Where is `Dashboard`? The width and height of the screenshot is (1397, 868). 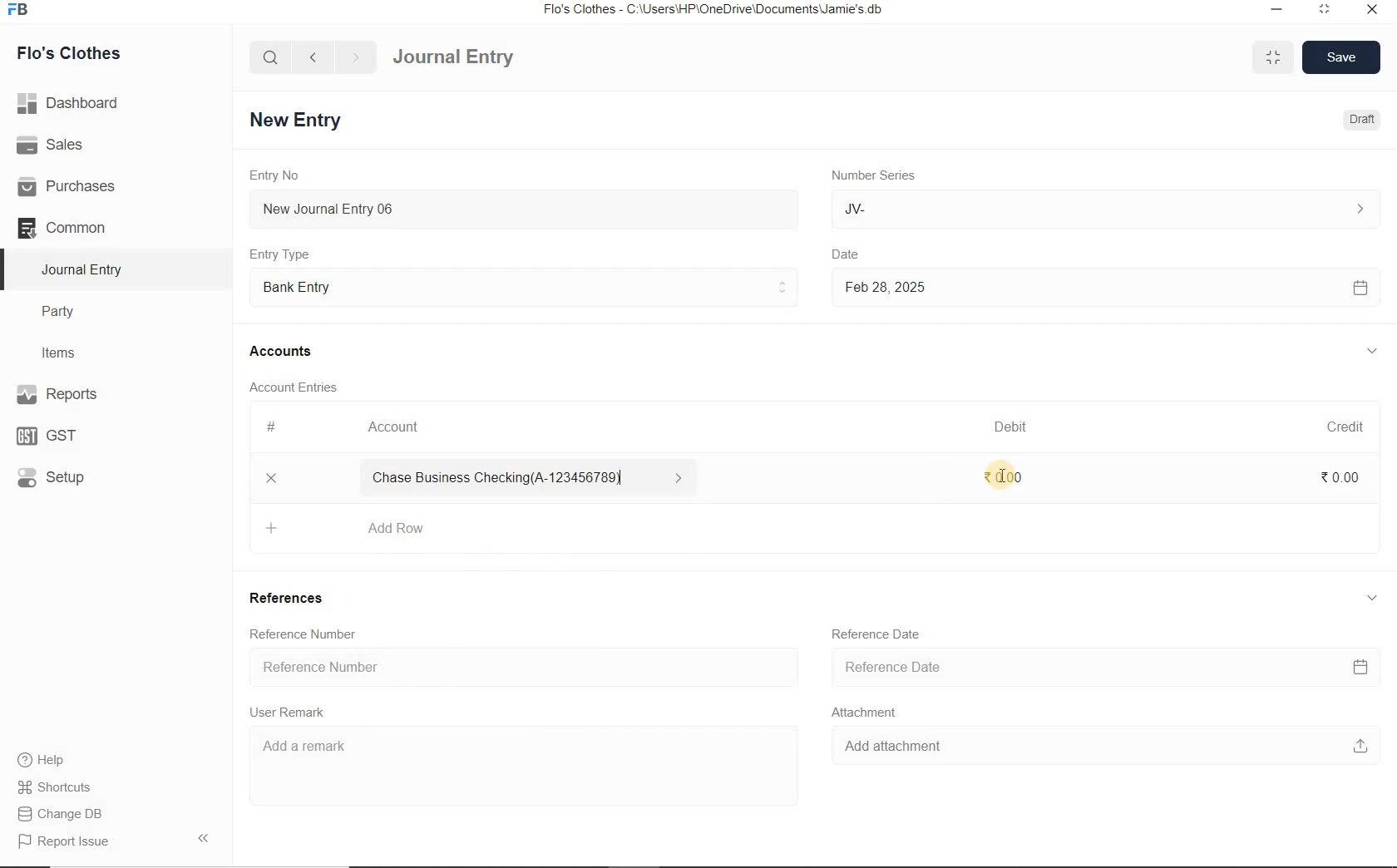 Dashboard is located at coordinates (74, 101).